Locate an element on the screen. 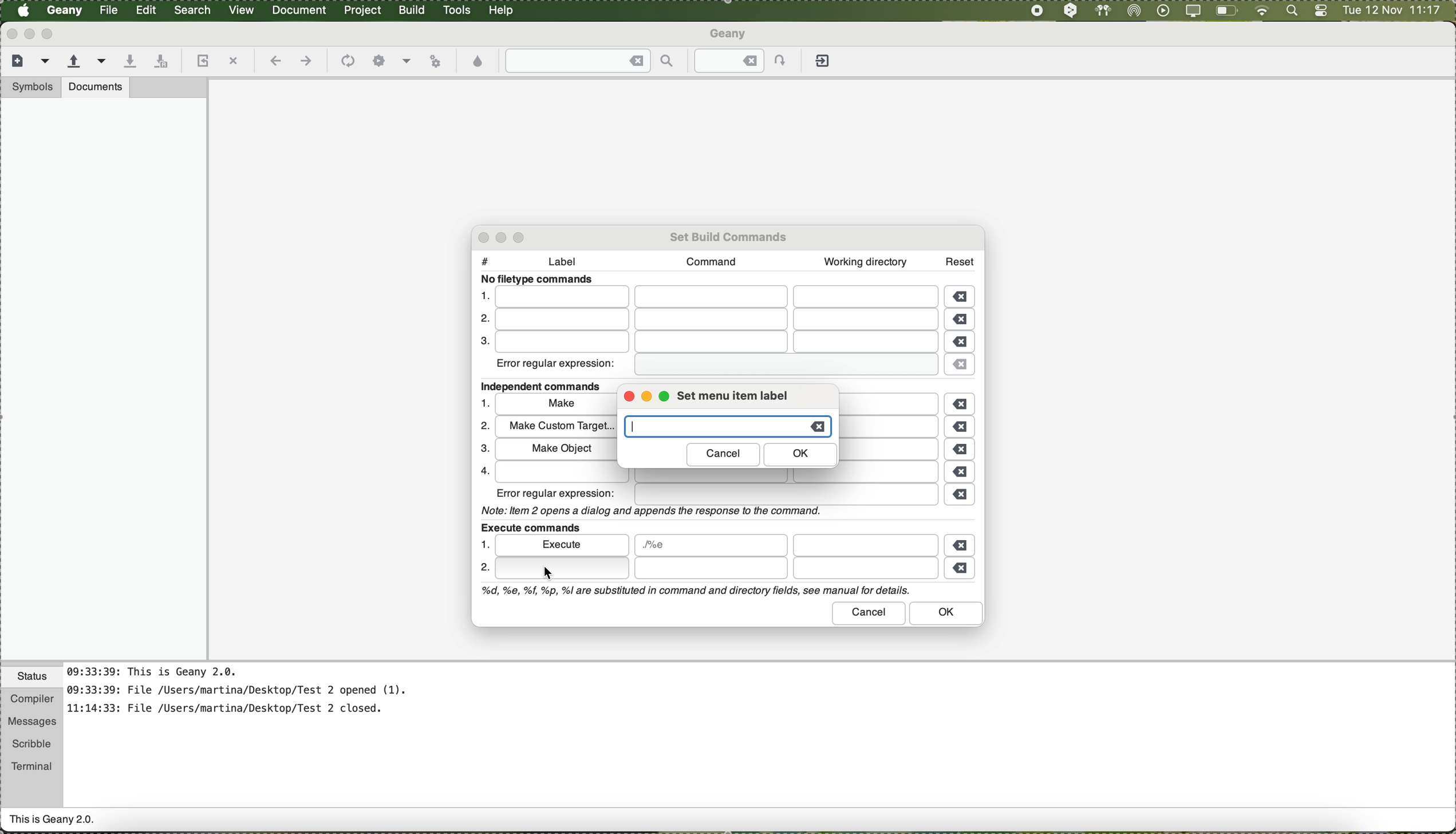 This screenshot has width=1456, height=834. airpods is located at coordinates (1102, 10).